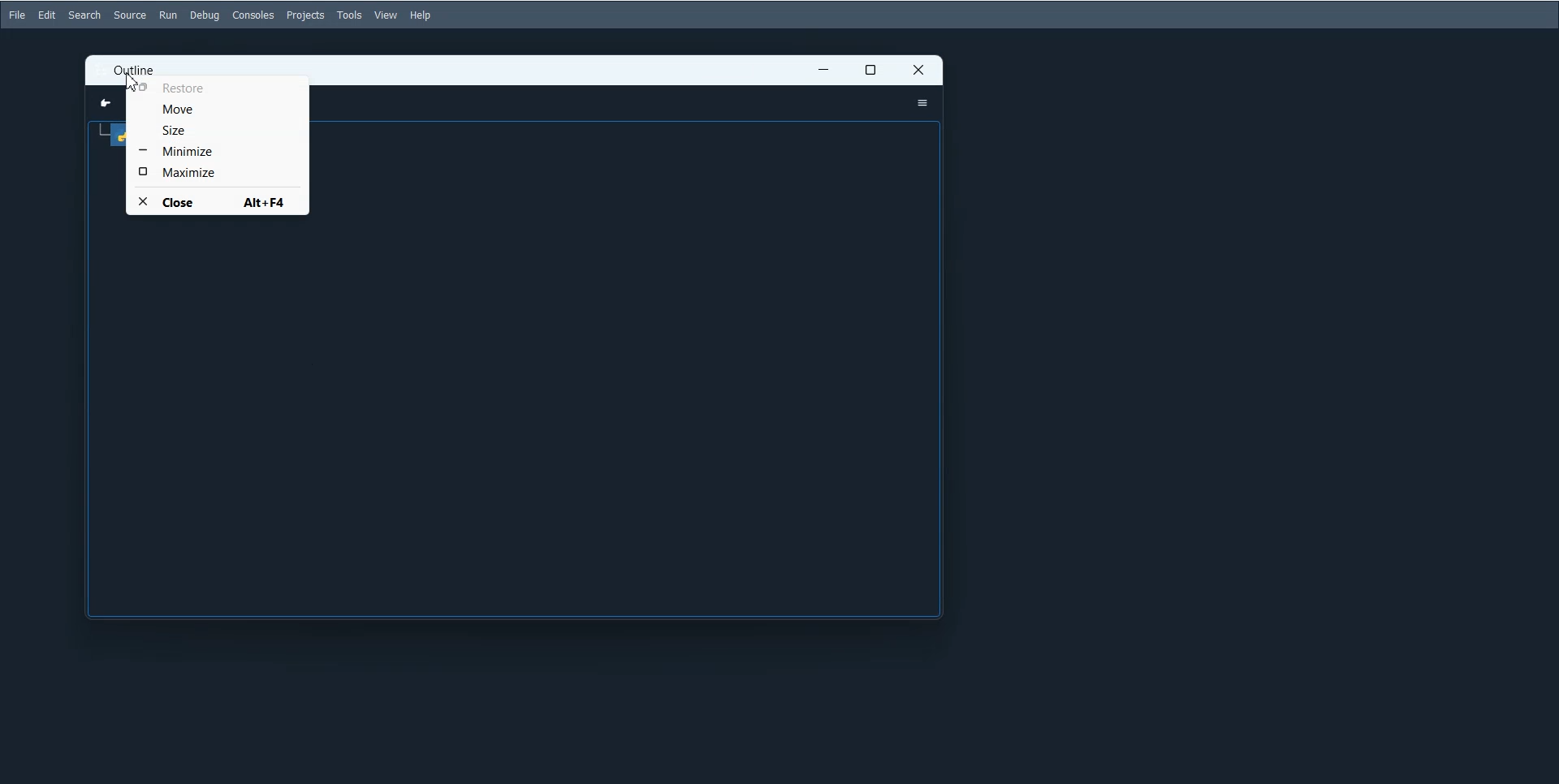 Image resolution: width=1559 pixels, height=784 pixels. Describe the element at coordinates (871, 71) in the screenshot. I see `Maximize` at that location.